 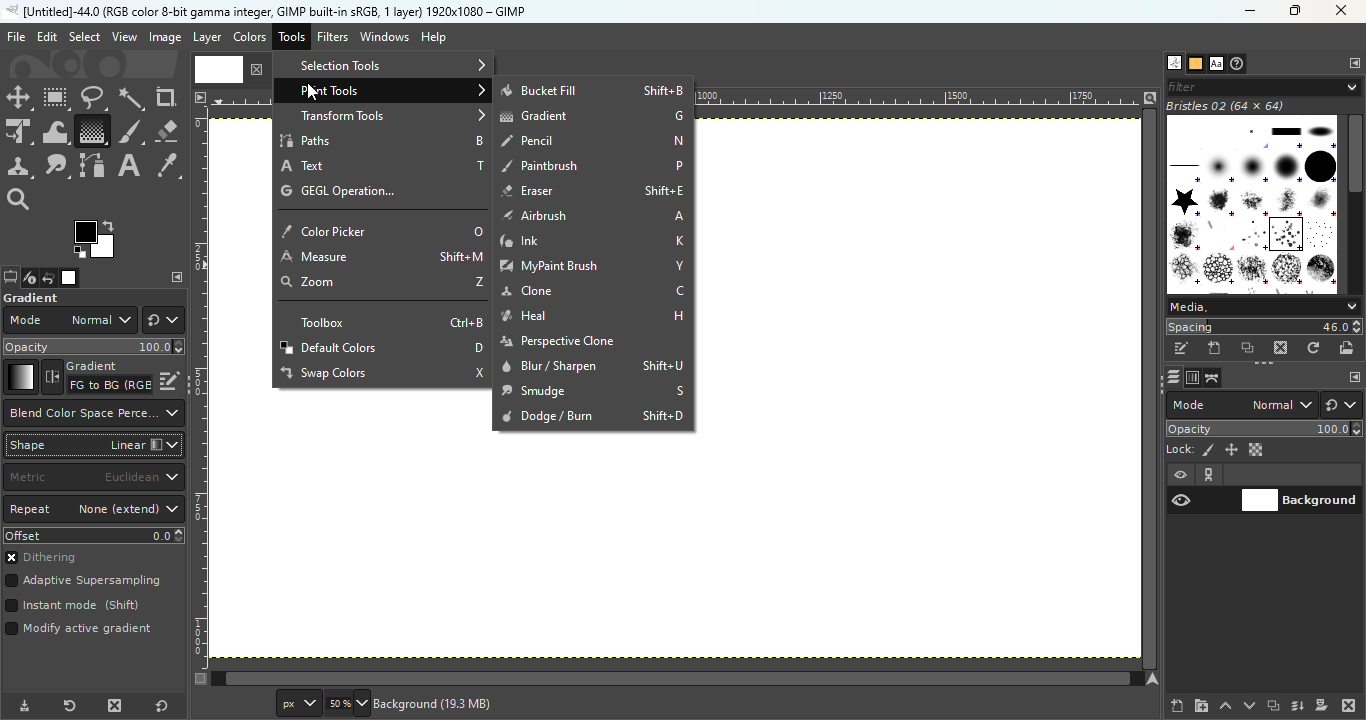 I want to click on Tools, so click(x=294, y=39).